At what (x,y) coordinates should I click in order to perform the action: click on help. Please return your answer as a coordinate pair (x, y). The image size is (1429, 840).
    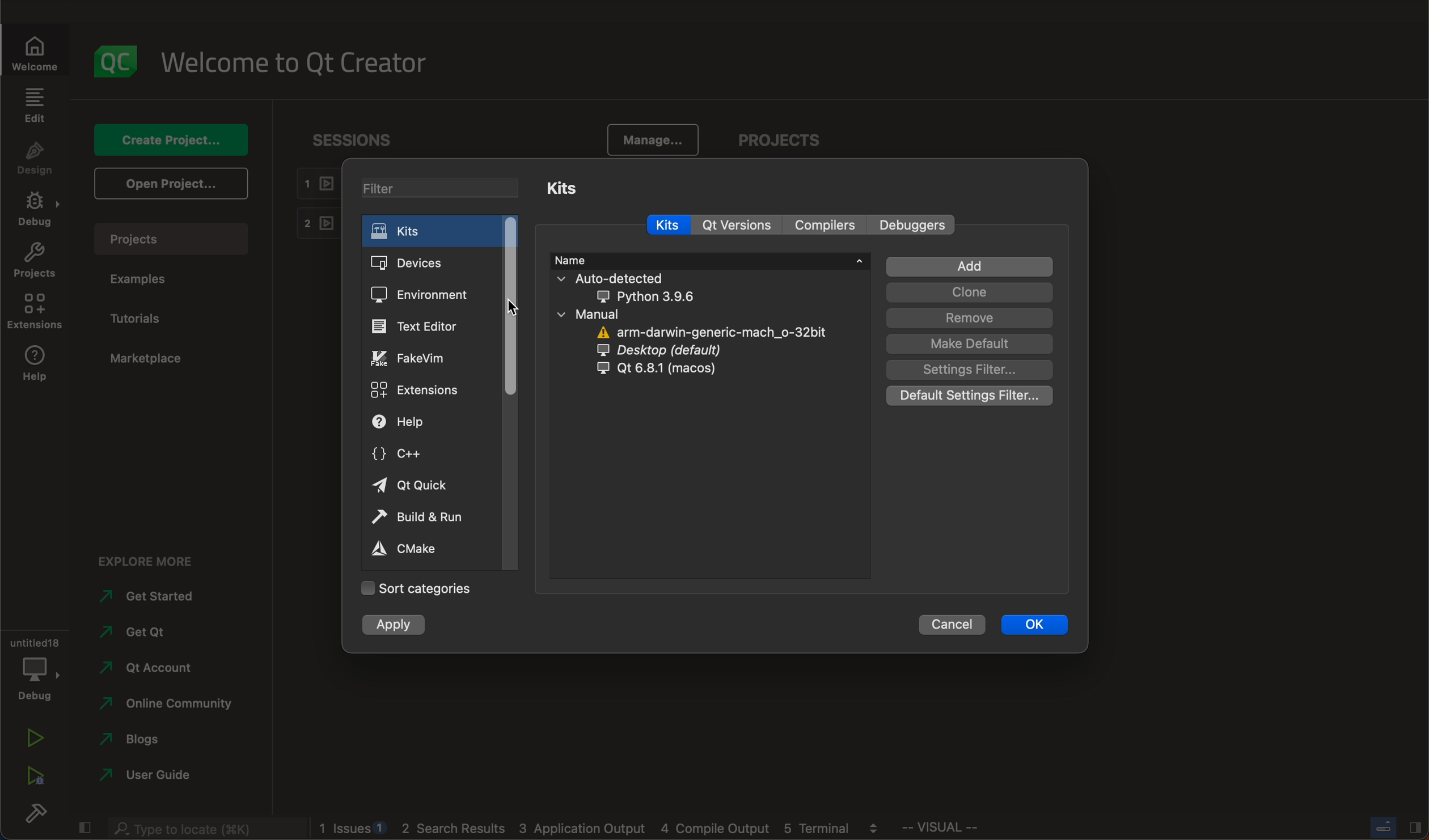
    Looking at the image, I should click on (412, 422).